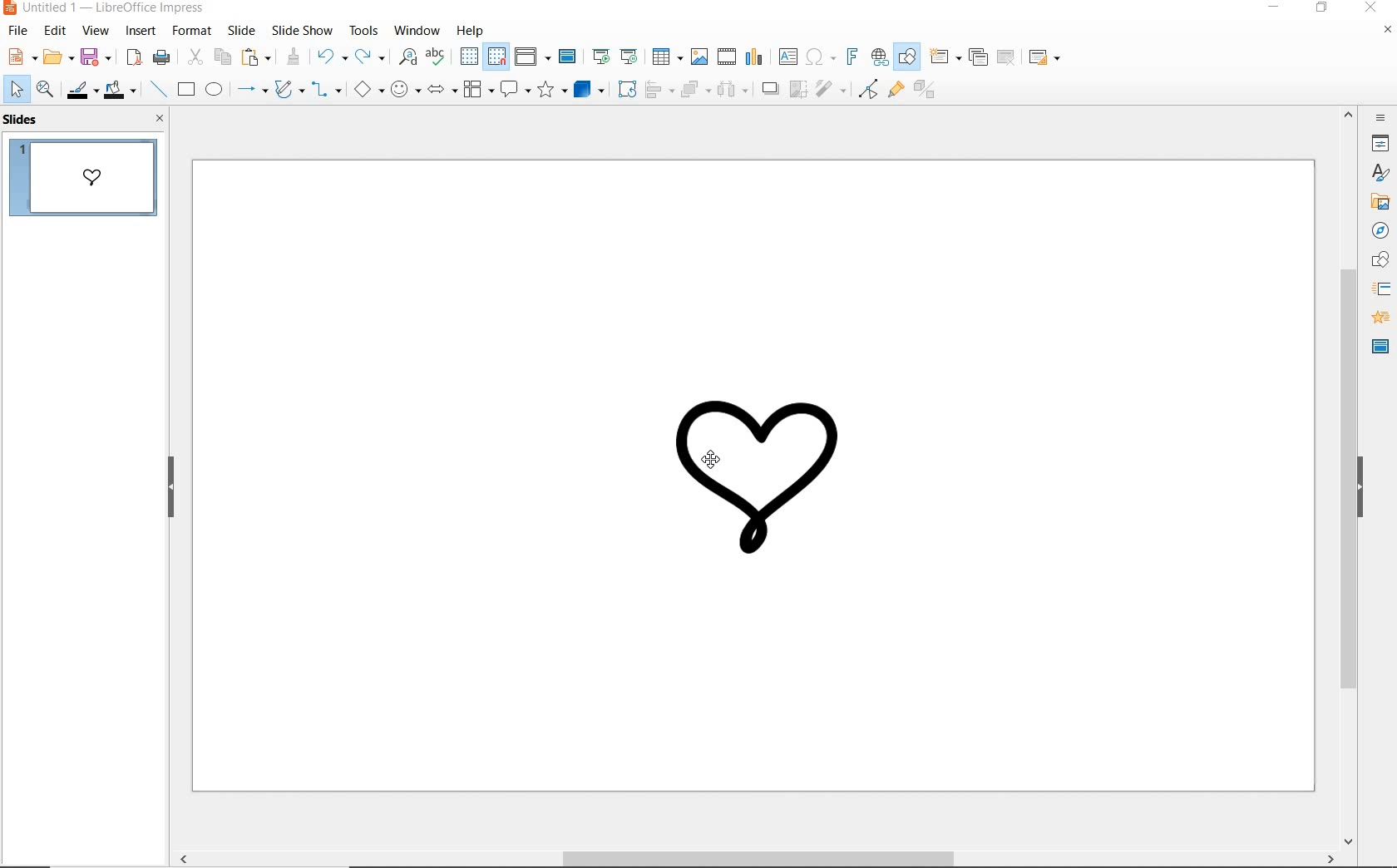 The height and width of the screenshot is (868, 1397). What do you see at coordinates (96, 32) in the screenshot?
I see `view` at bounding box center [96, 32].